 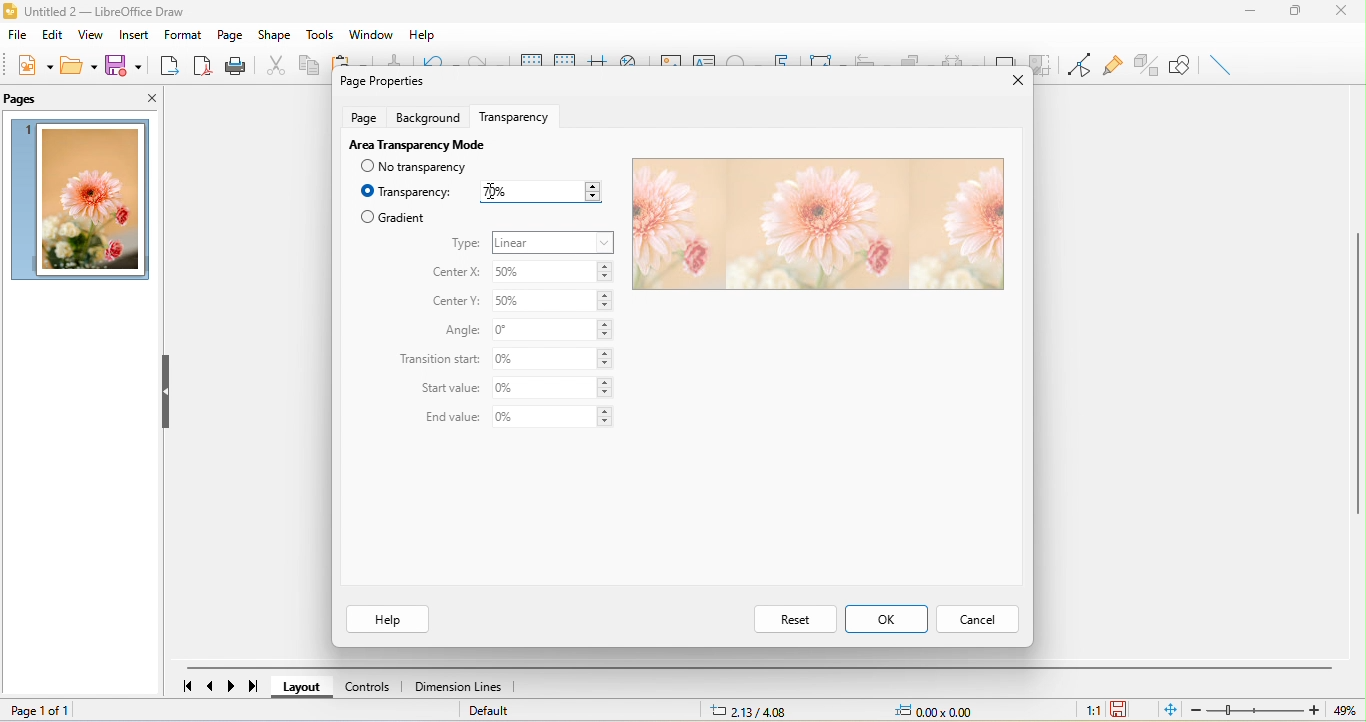 What do you see at coordinates (229, 686) in the screenshot?
I see `next page` at bounding box center [229, 686].